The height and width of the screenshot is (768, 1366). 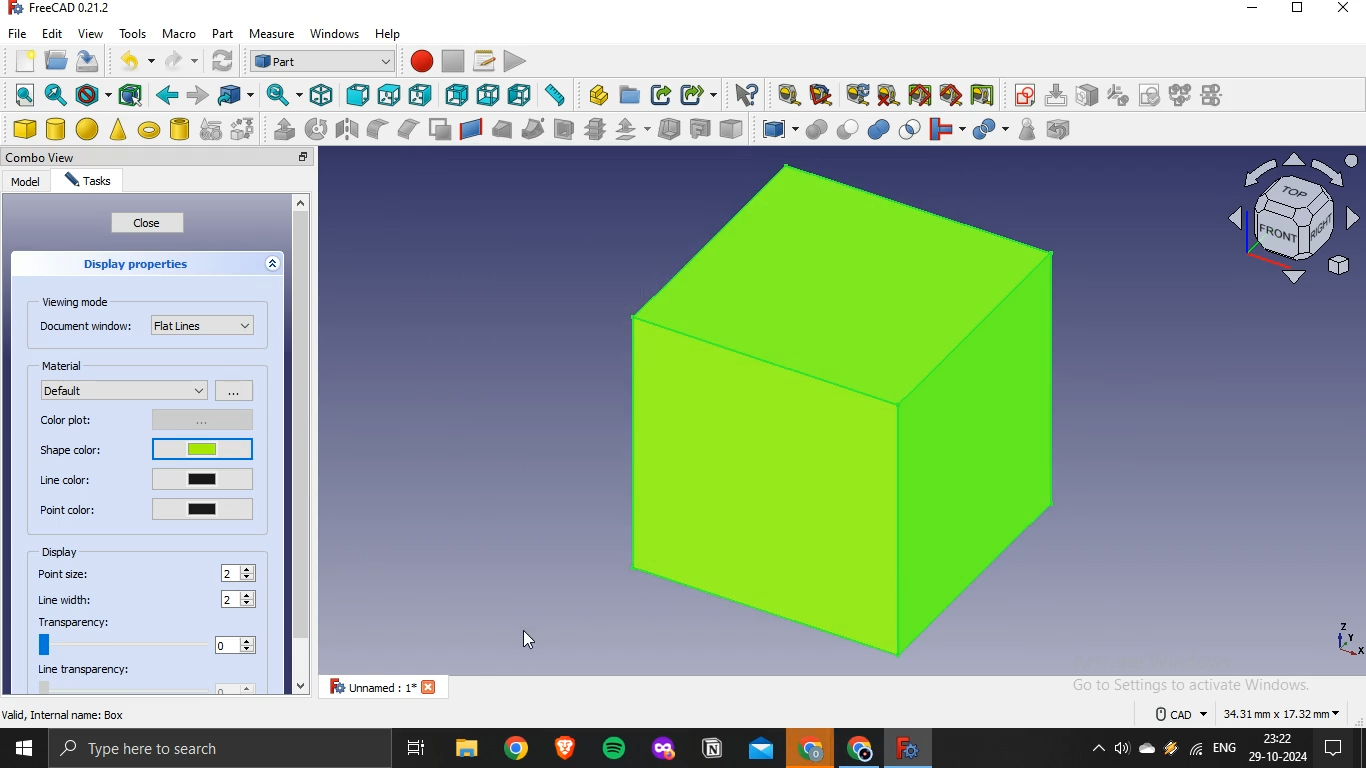 What do you see at coordinates (420, 96) in the screenshot?
I see `right` at bounding box center [420, 96].